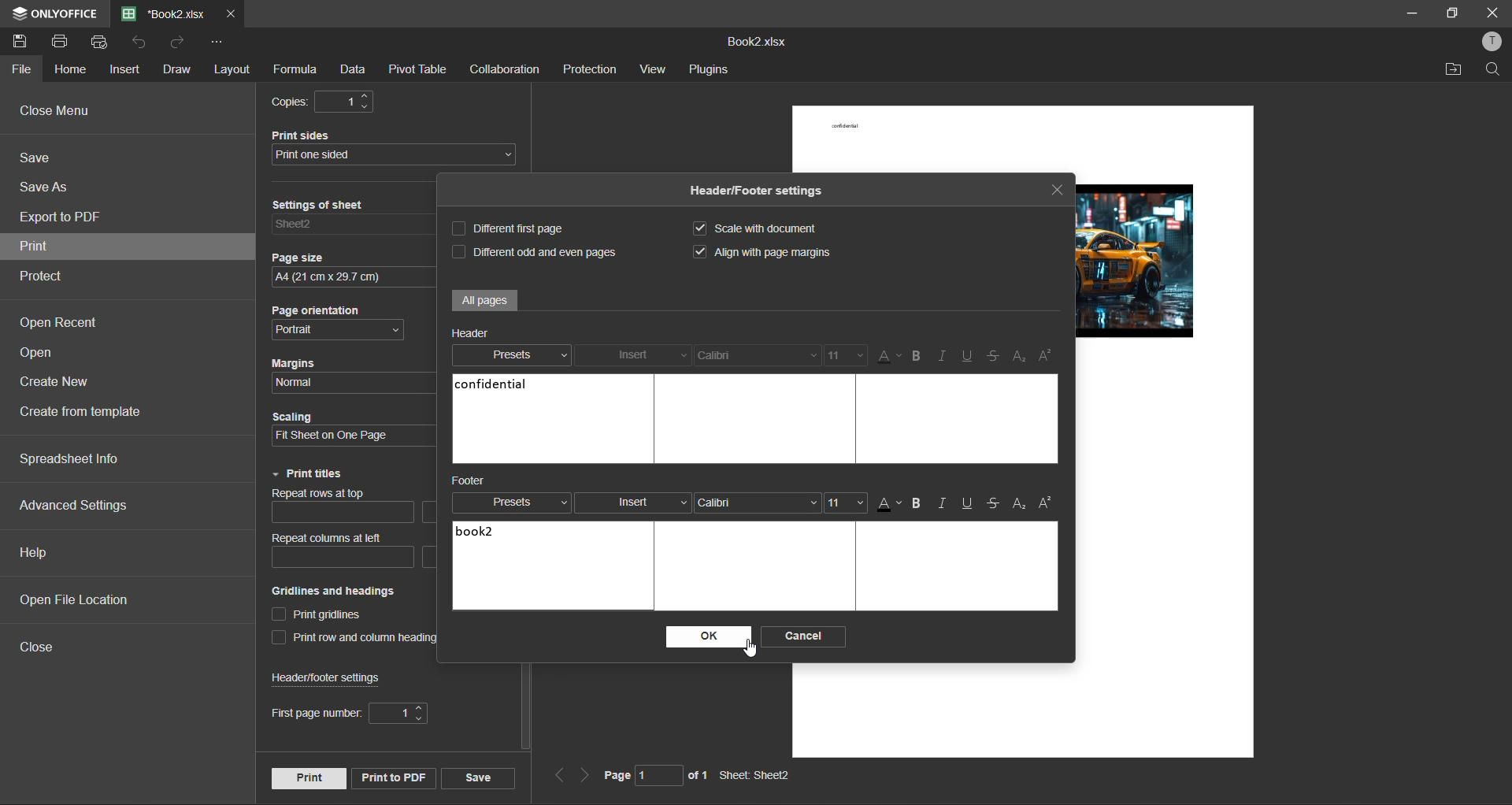 The image size is (1512, 805). What do you see at coordinates (232, 68) in the screenshot?
I see `layout` at bounding box center [232, 68].